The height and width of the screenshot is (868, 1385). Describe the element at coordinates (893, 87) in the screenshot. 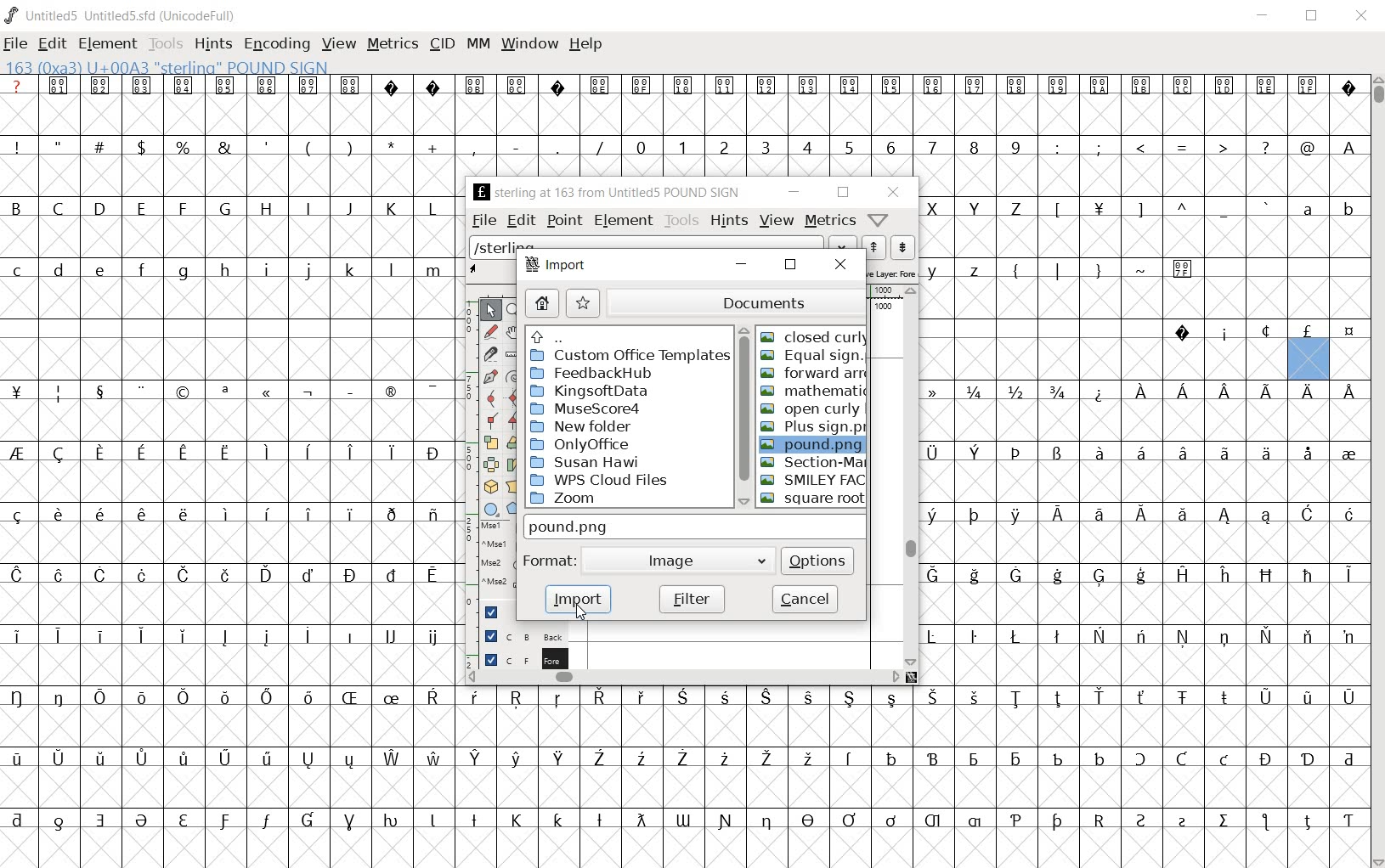

I see `Symbol` at that location.